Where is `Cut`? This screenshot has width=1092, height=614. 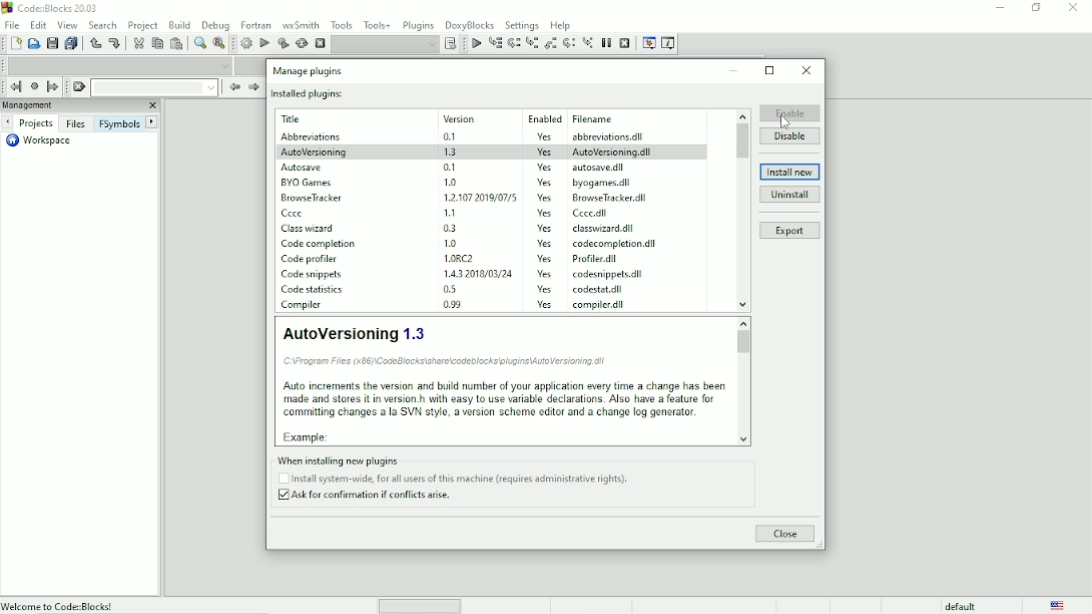
Cut is located at coordinates (137, 44).